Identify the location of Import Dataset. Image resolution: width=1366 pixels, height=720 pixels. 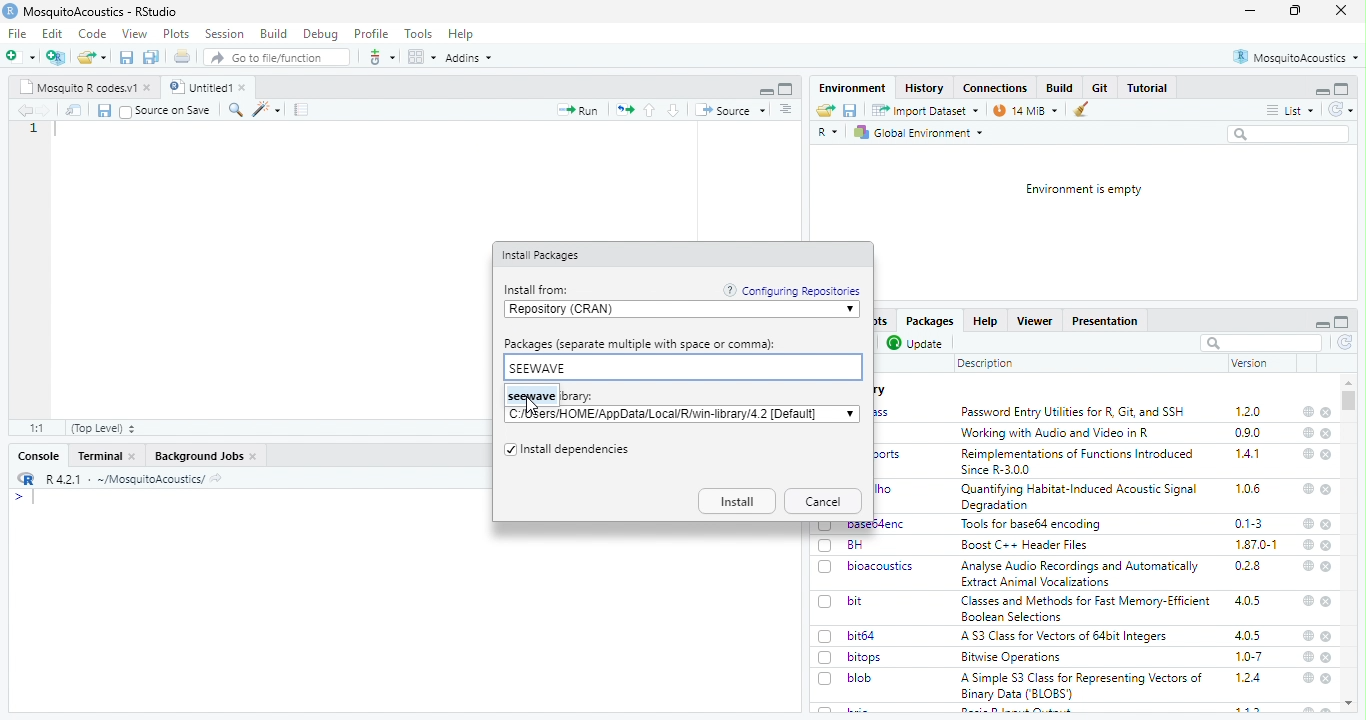
(927, 111).